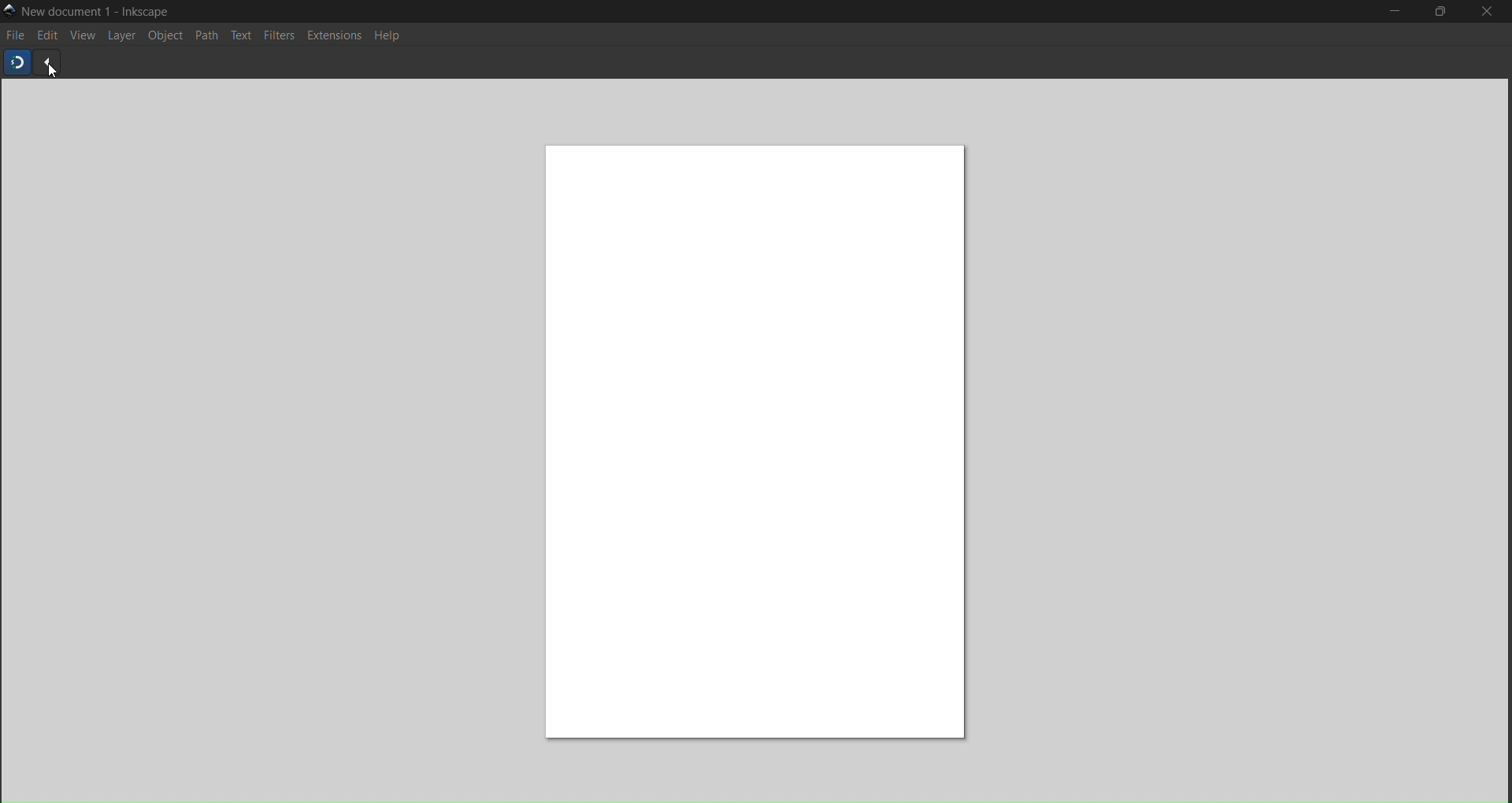 The width and height of the screenshot is (1512, 803). What do you see at coordinates (101, 13) in the screenshot?
I see `Title` at bounding box center [101, 13].